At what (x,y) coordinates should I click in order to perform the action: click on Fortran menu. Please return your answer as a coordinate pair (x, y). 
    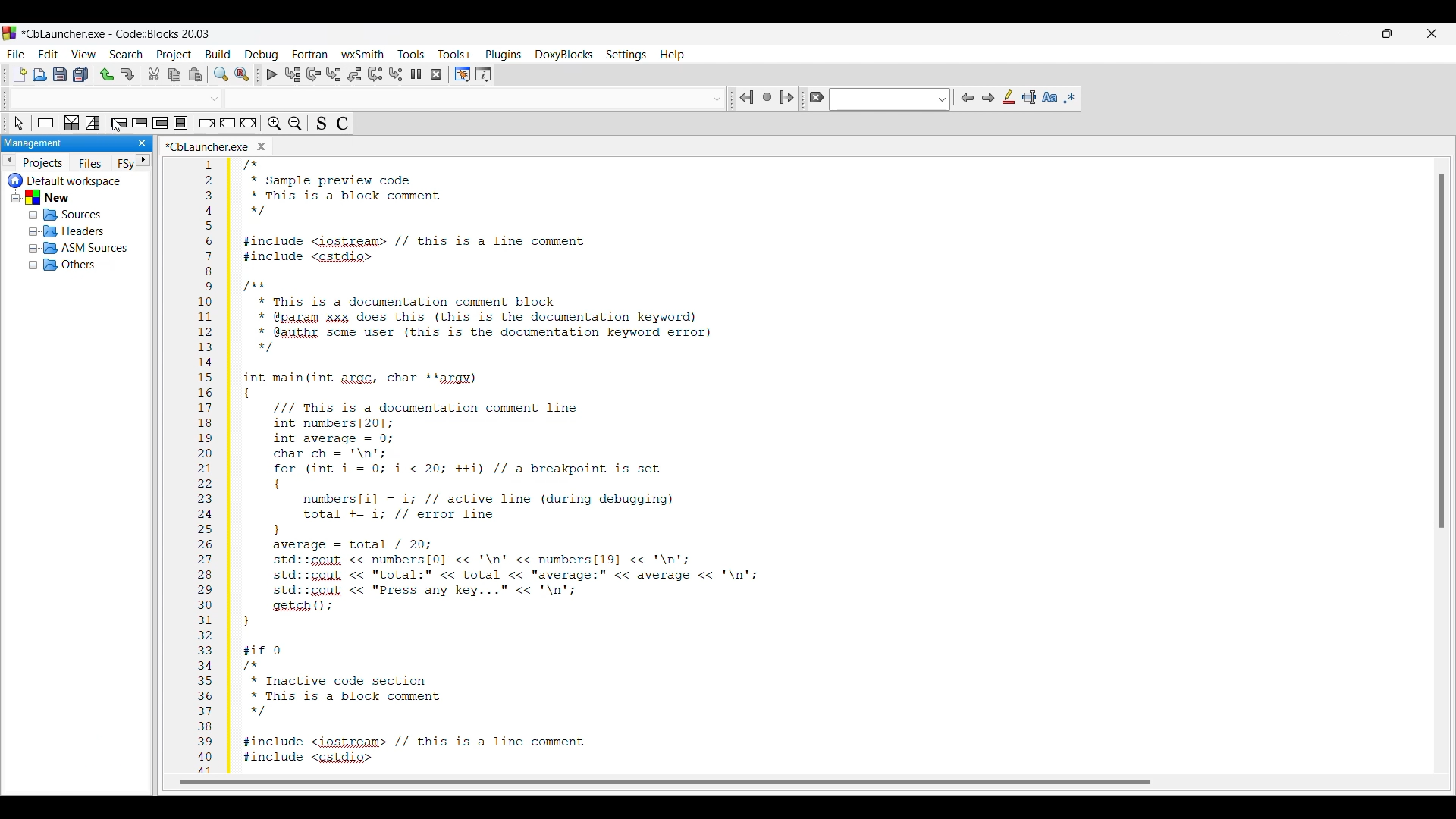
    Looking at the image, I should click on (311, 54).